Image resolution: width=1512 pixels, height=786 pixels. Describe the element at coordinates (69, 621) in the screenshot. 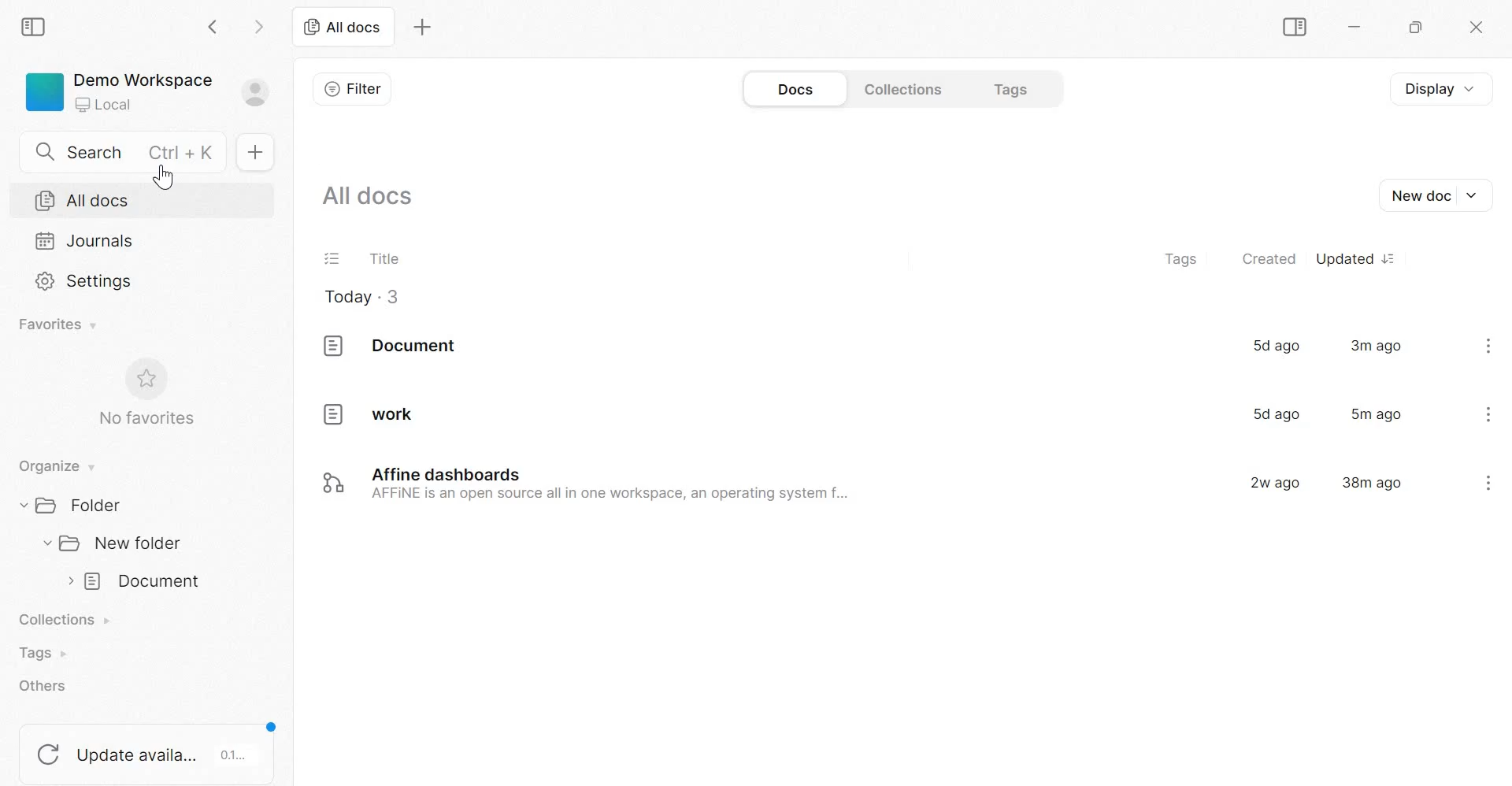

I see `Collections` at that location.